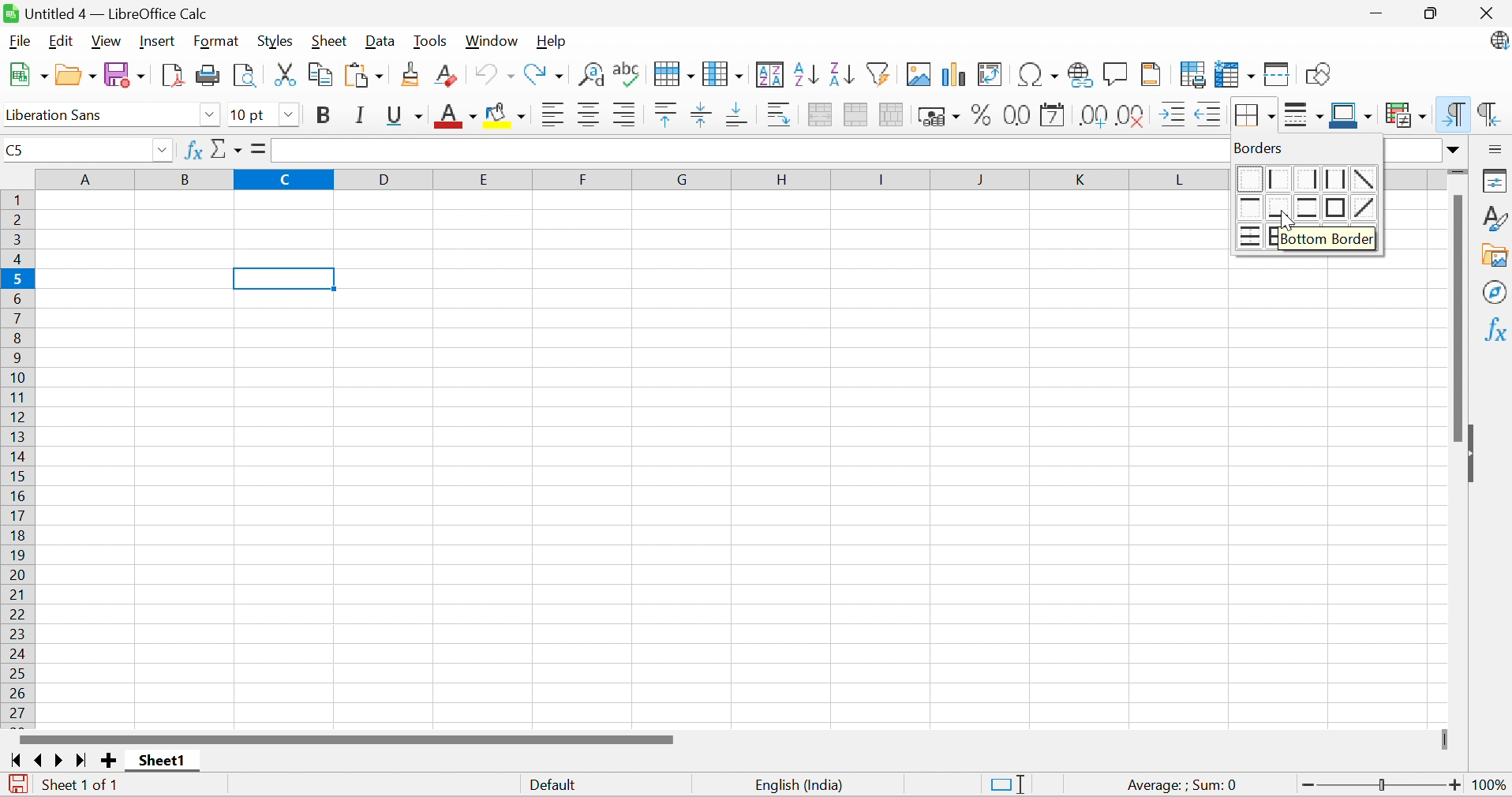  Describe the element at coordinates (1499, 43) in the screenshot. I see `LibreOffice update available` at that location.